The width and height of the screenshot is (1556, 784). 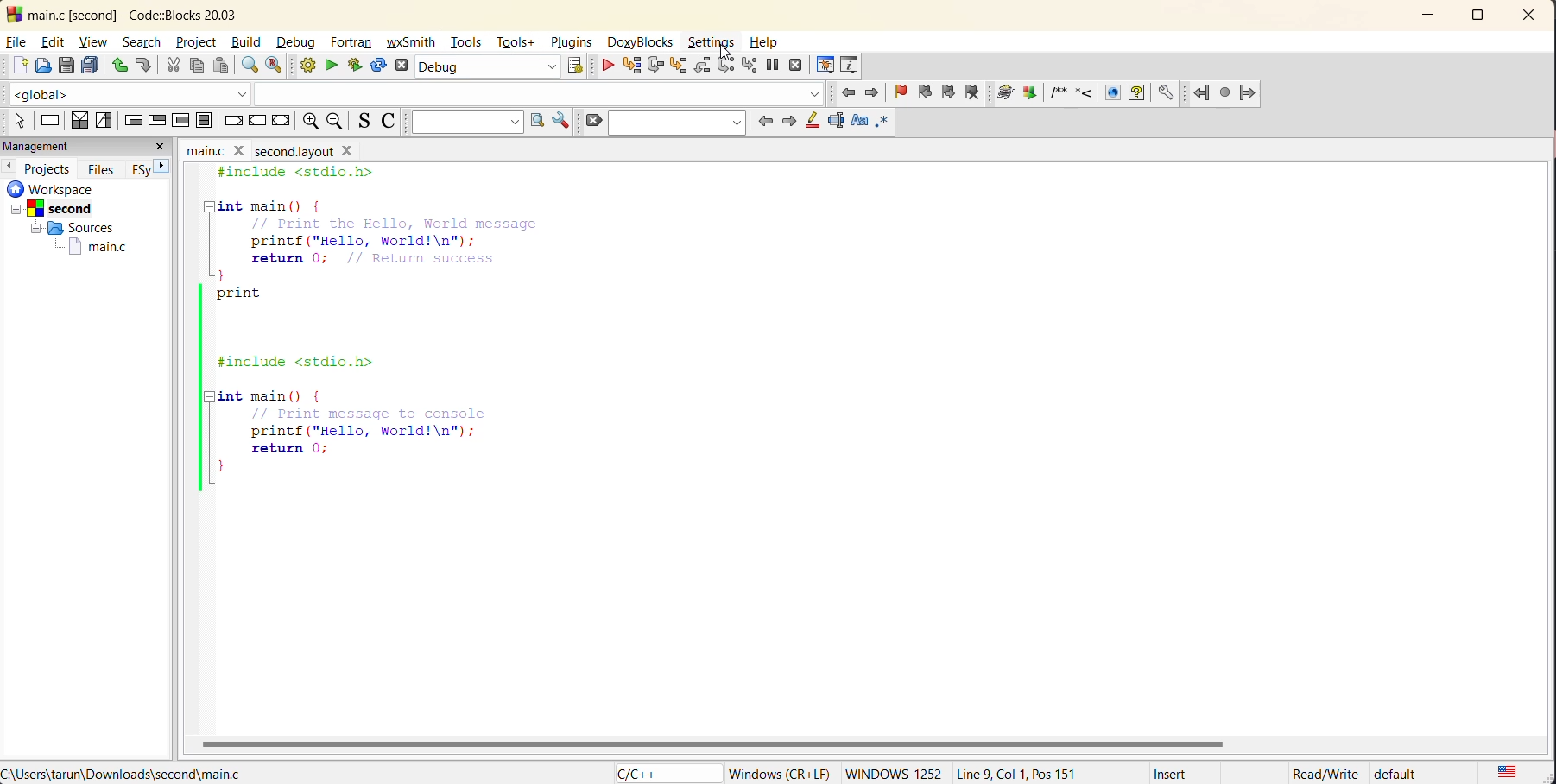 I want to click on settings, so click(x=714, y=43).